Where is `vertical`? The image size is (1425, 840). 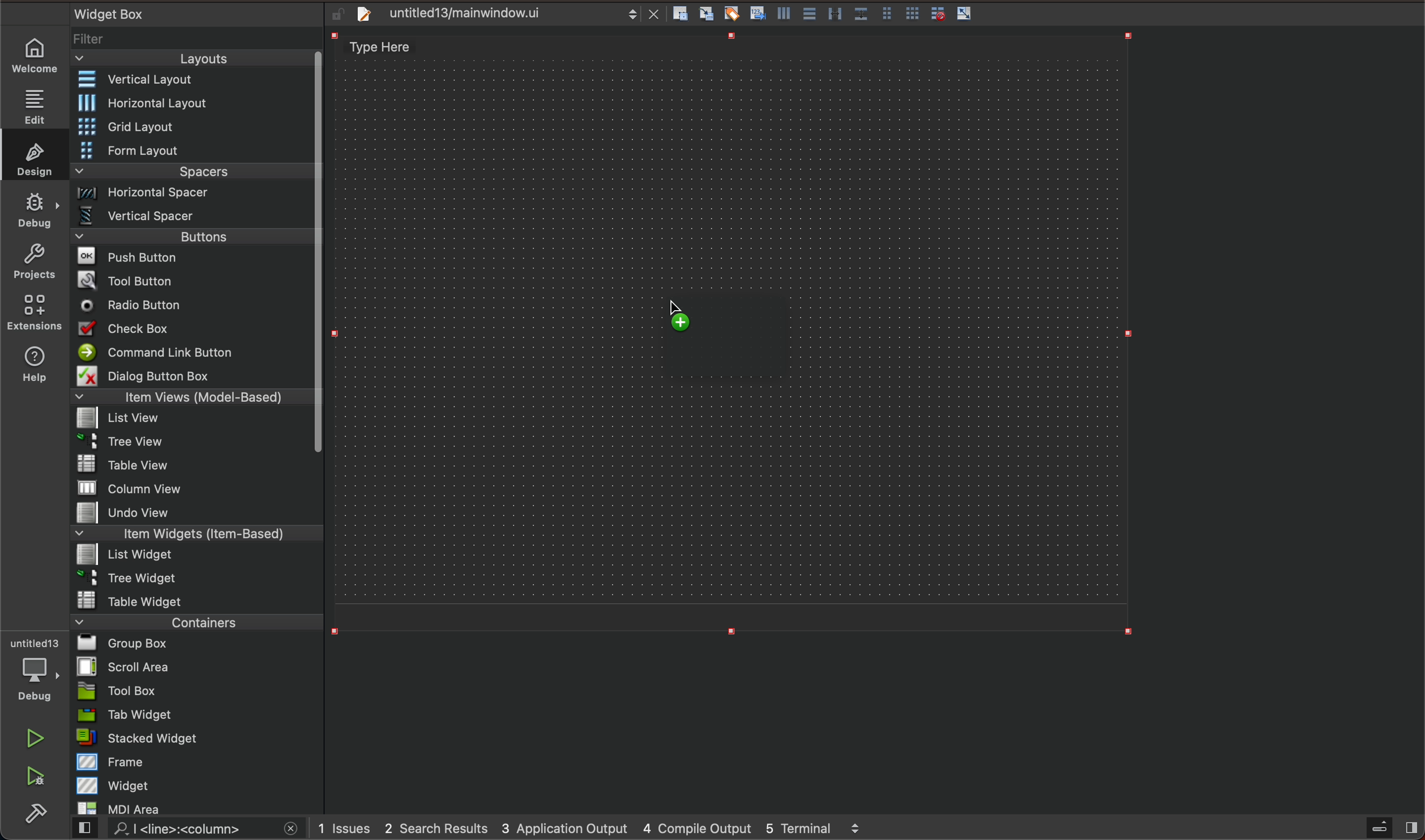
vertical is located at coordinates (786, 14).